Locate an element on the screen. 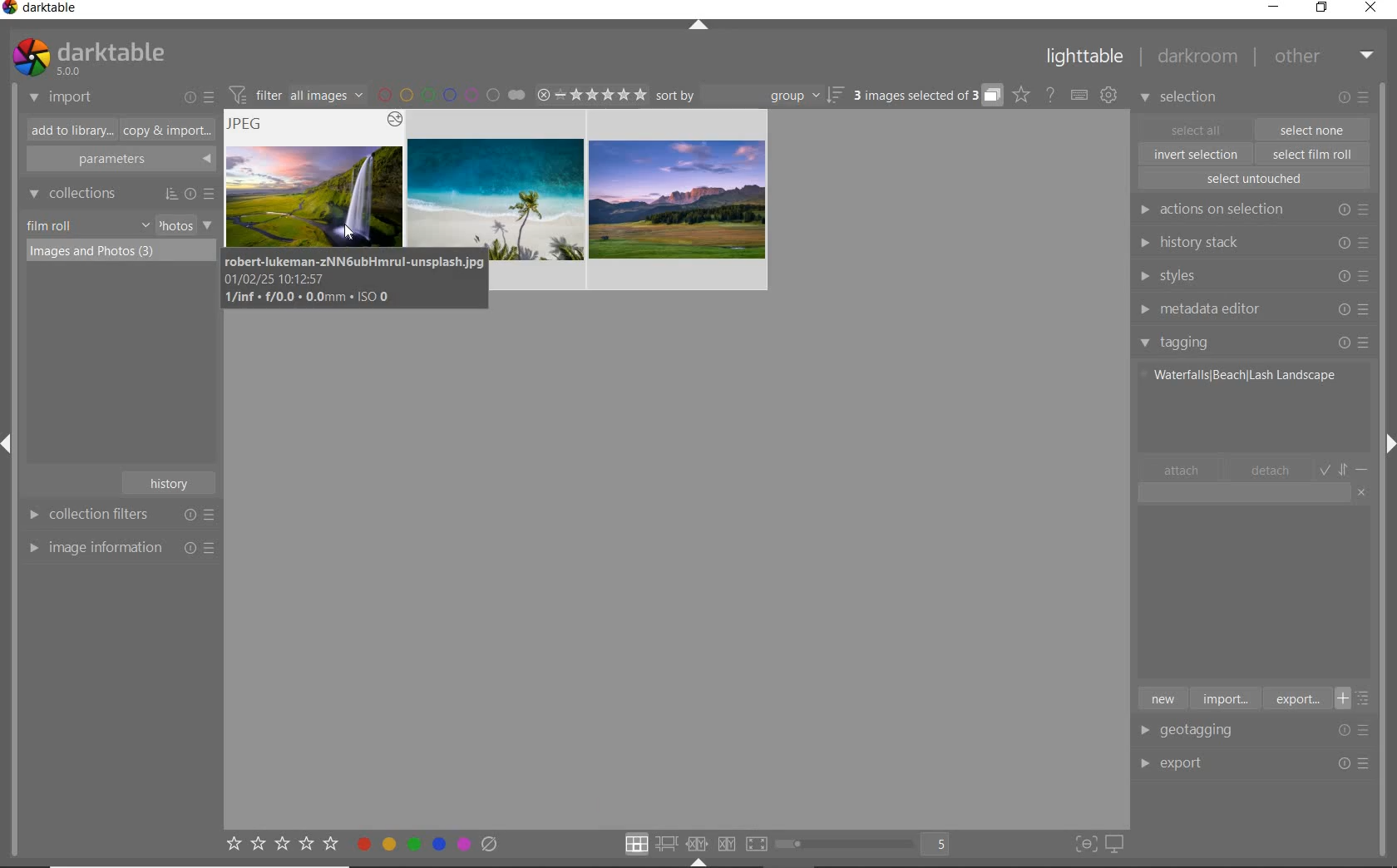  film roll is located at coordinates (51, 225).